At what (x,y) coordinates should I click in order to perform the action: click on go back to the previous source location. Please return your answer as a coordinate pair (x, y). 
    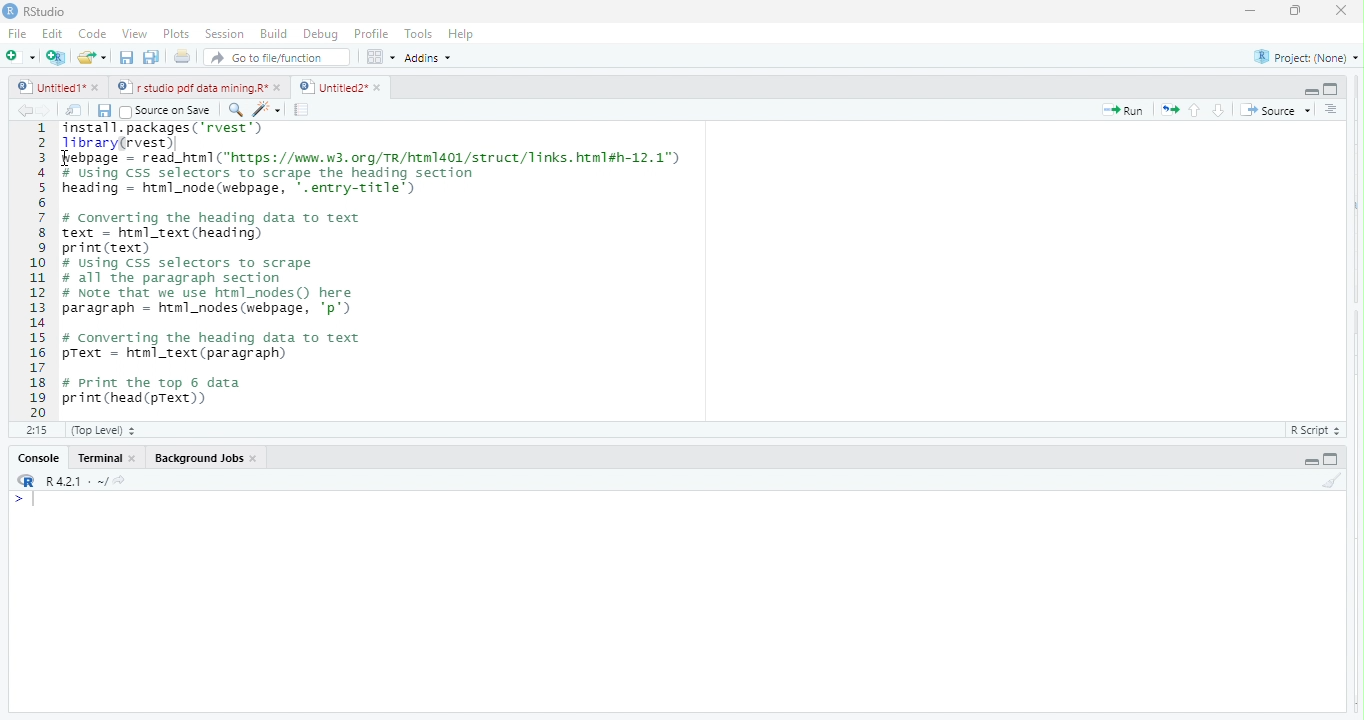
    Looking at the image, I should click on (25, 110).